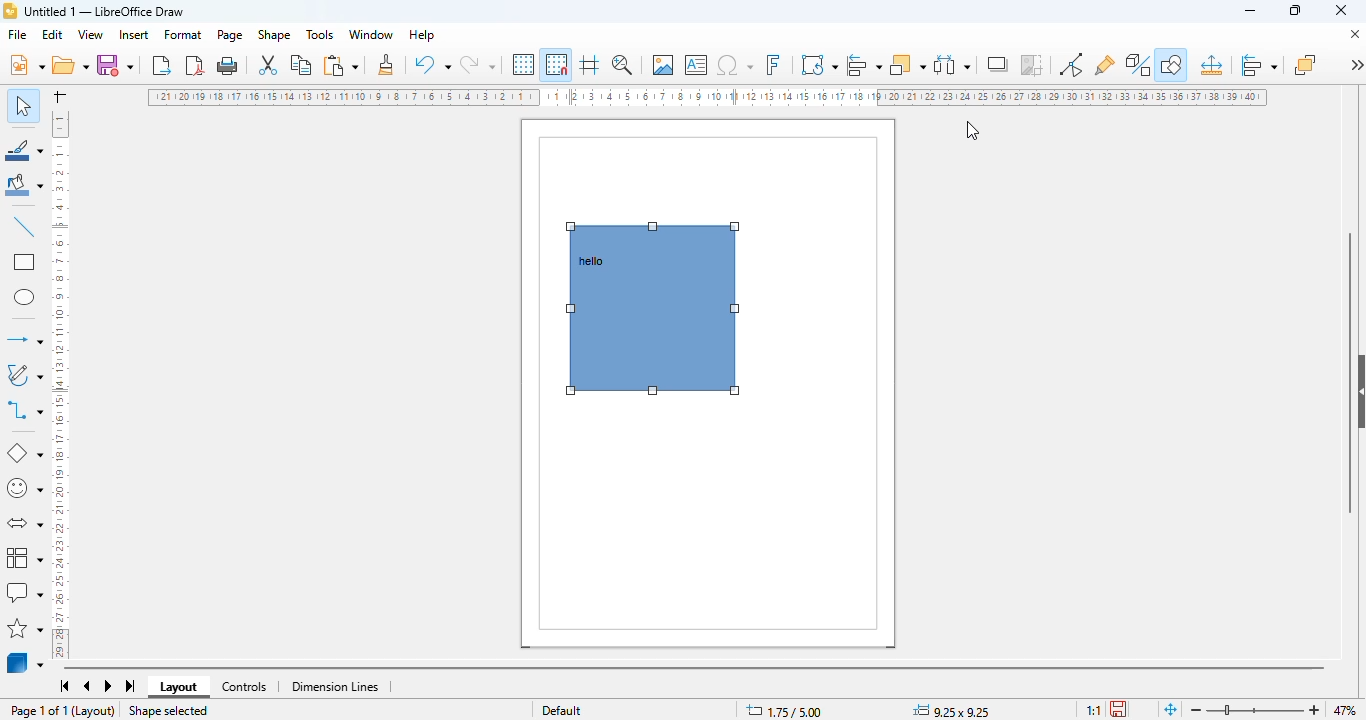 The width and height of the screenshot is (1366, 720). I want to click on file, so click(17, 34).